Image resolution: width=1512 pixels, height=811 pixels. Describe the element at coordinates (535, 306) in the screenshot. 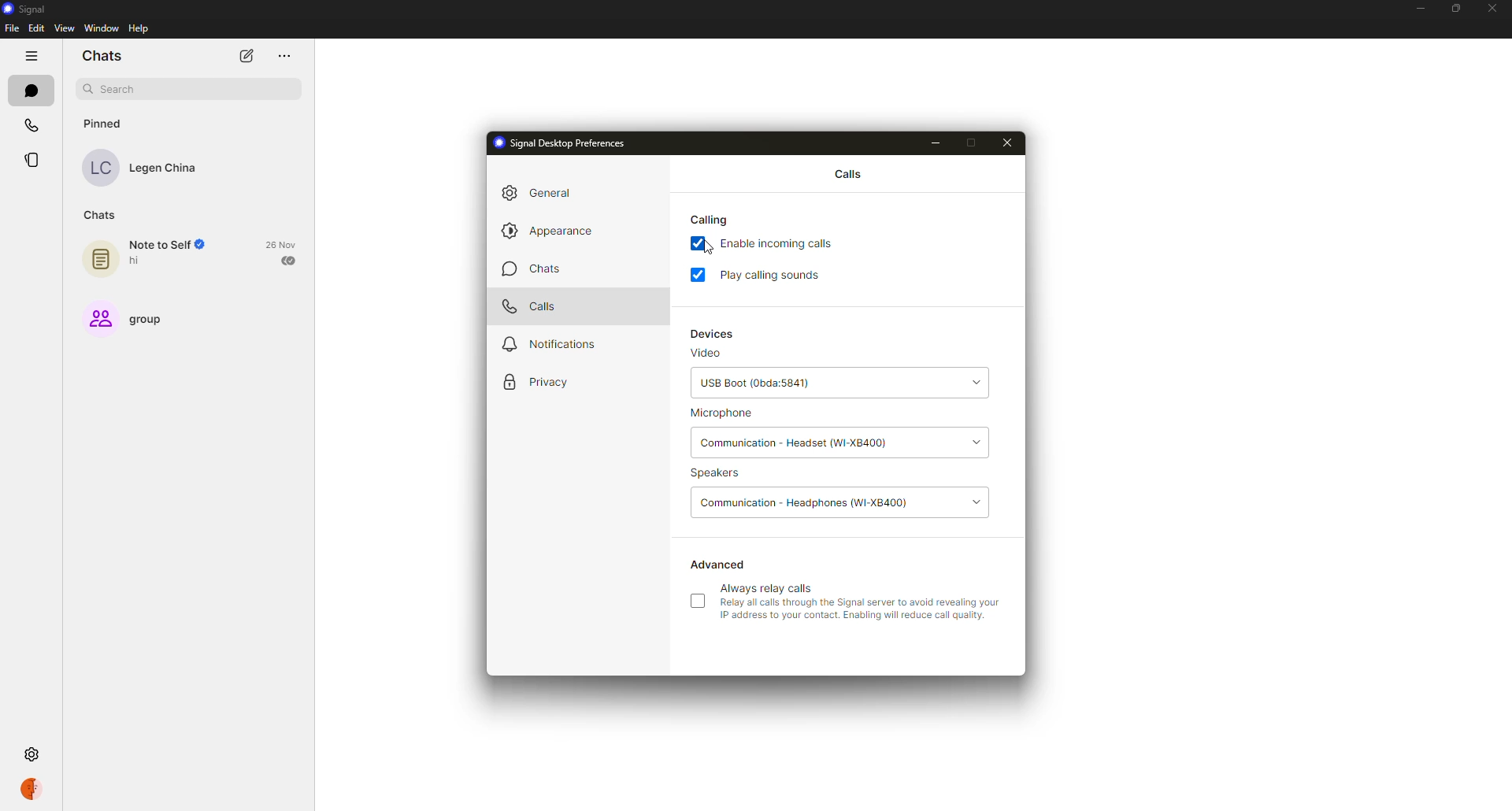

I see `calls` at that location.